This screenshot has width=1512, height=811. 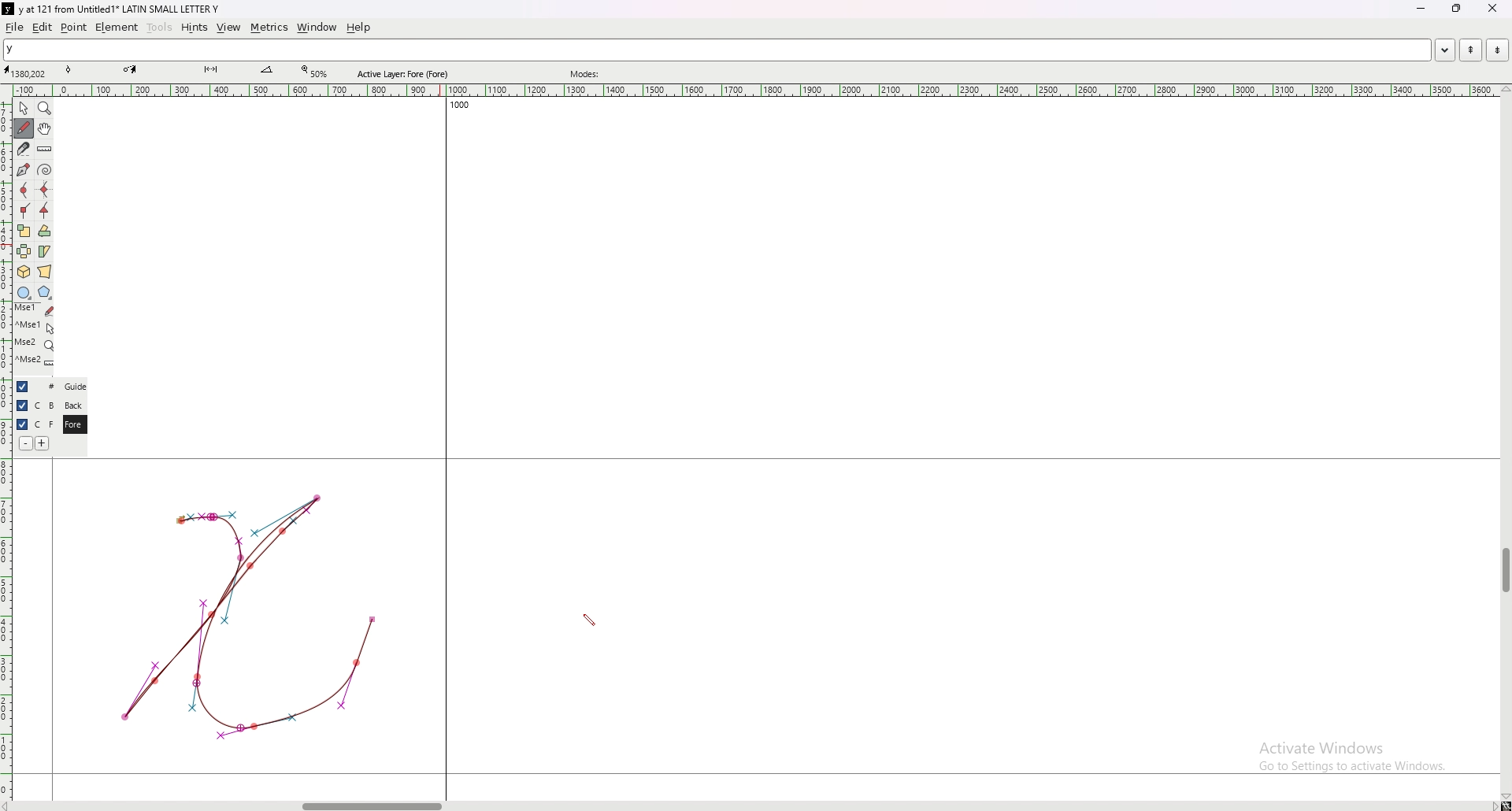 What do you see at coordinates (317, 28) in the screenshot?
I see `window` at bounding box center [317, 28].